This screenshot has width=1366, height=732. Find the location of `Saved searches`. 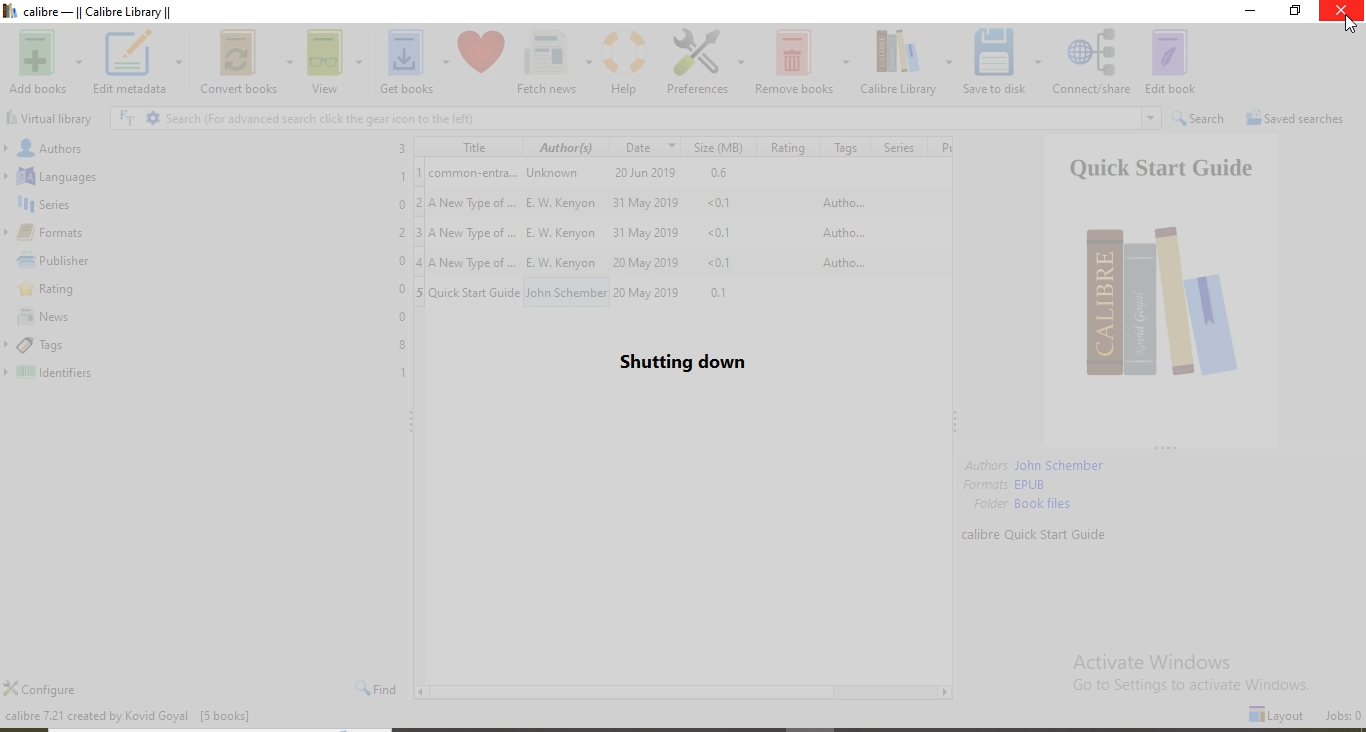

Saved searches is located at coordinates (1299, 120).